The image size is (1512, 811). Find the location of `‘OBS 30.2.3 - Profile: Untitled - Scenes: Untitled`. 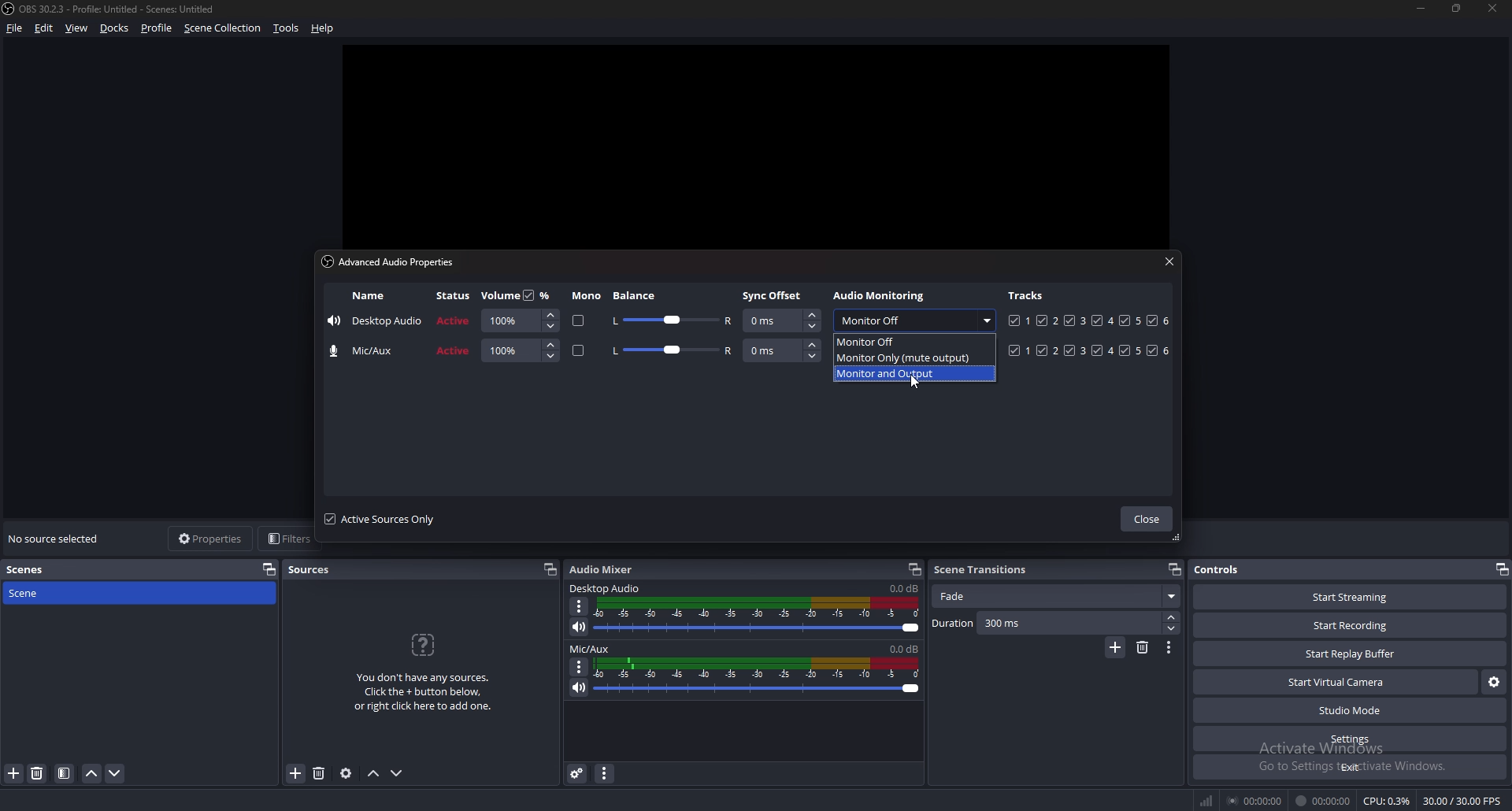

‘OBS 30.2.3 - Profile: Untitled - Scenes: Untitled is located at coordinates (121, 9).